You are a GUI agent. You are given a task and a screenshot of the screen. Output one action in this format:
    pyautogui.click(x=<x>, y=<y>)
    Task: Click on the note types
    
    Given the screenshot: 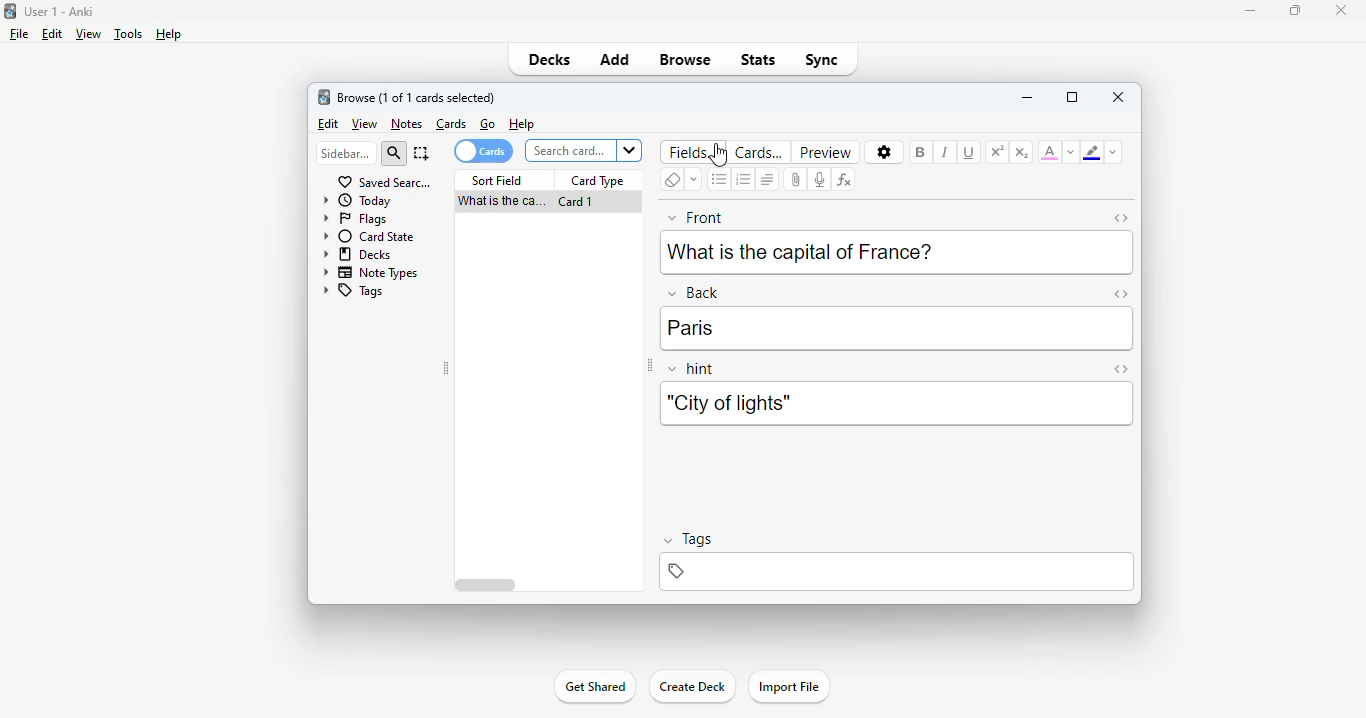 What is the action you would take?
    pyautogui.click(x=371, y=272)
    